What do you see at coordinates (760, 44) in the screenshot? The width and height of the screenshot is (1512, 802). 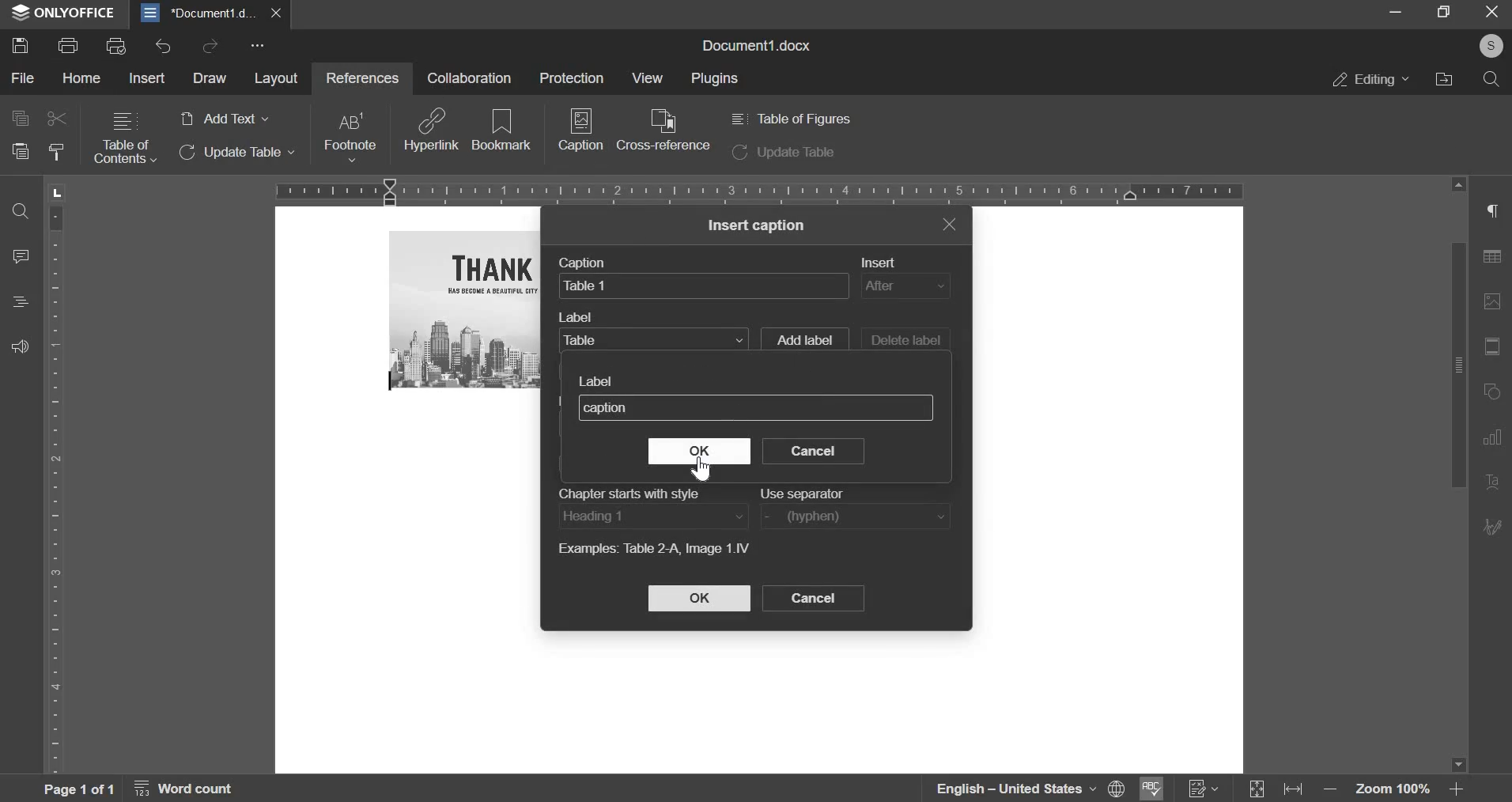 I see `document1.docx` at bounding box center [760, 44].